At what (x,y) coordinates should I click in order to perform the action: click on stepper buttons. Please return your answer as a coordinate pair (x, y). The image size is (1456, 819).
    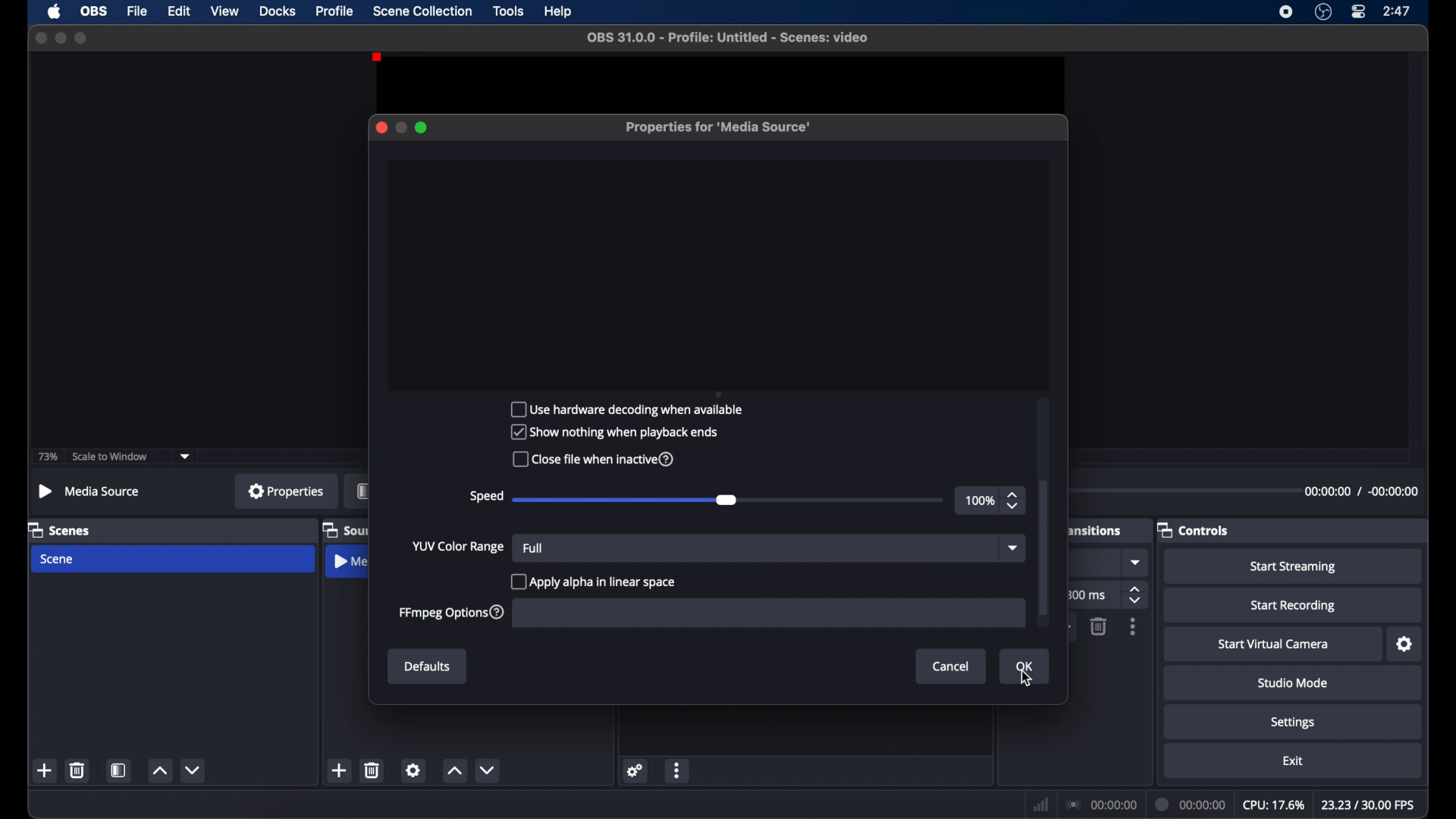
    Looking at the image, I should click on (1137, 595).